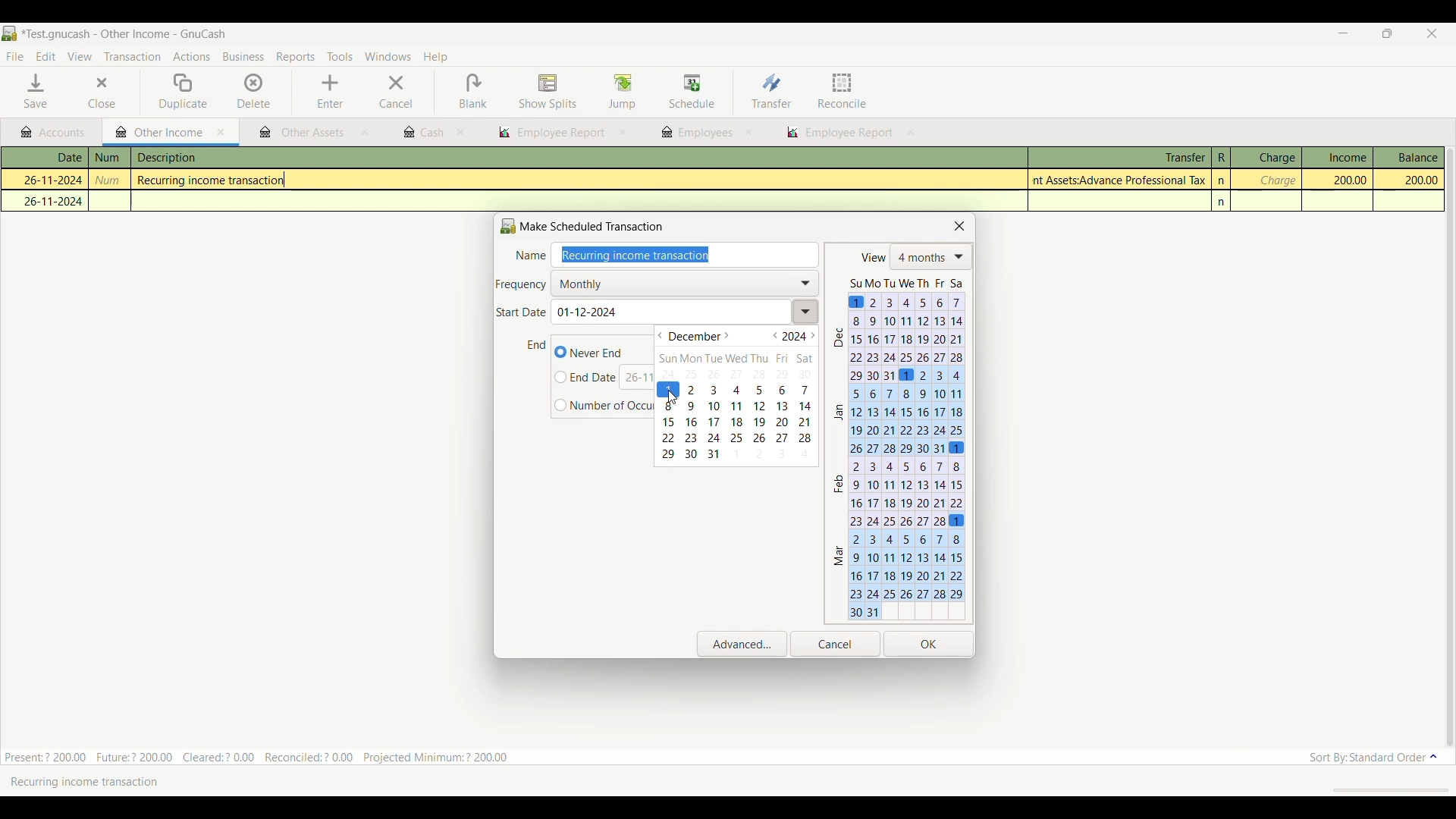 This screenshot has width=1456, height=819. I want to click on Schedule highlighted after selection by cursor, so click(692, 93).